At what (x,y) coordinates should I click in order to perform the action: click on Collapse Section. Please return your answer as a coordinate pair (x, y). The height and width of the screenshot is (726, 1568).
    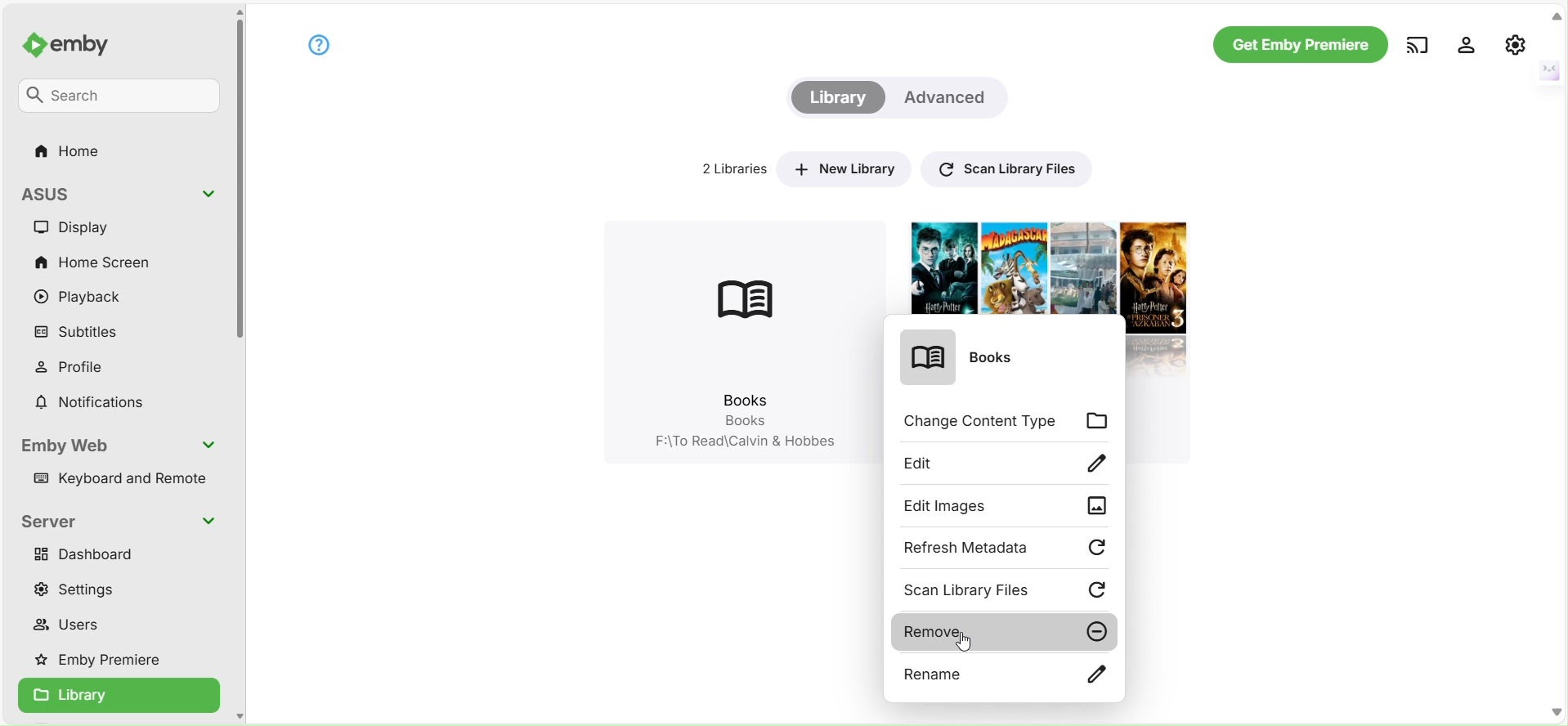
    Looking at the image, I should click on (208, 520).